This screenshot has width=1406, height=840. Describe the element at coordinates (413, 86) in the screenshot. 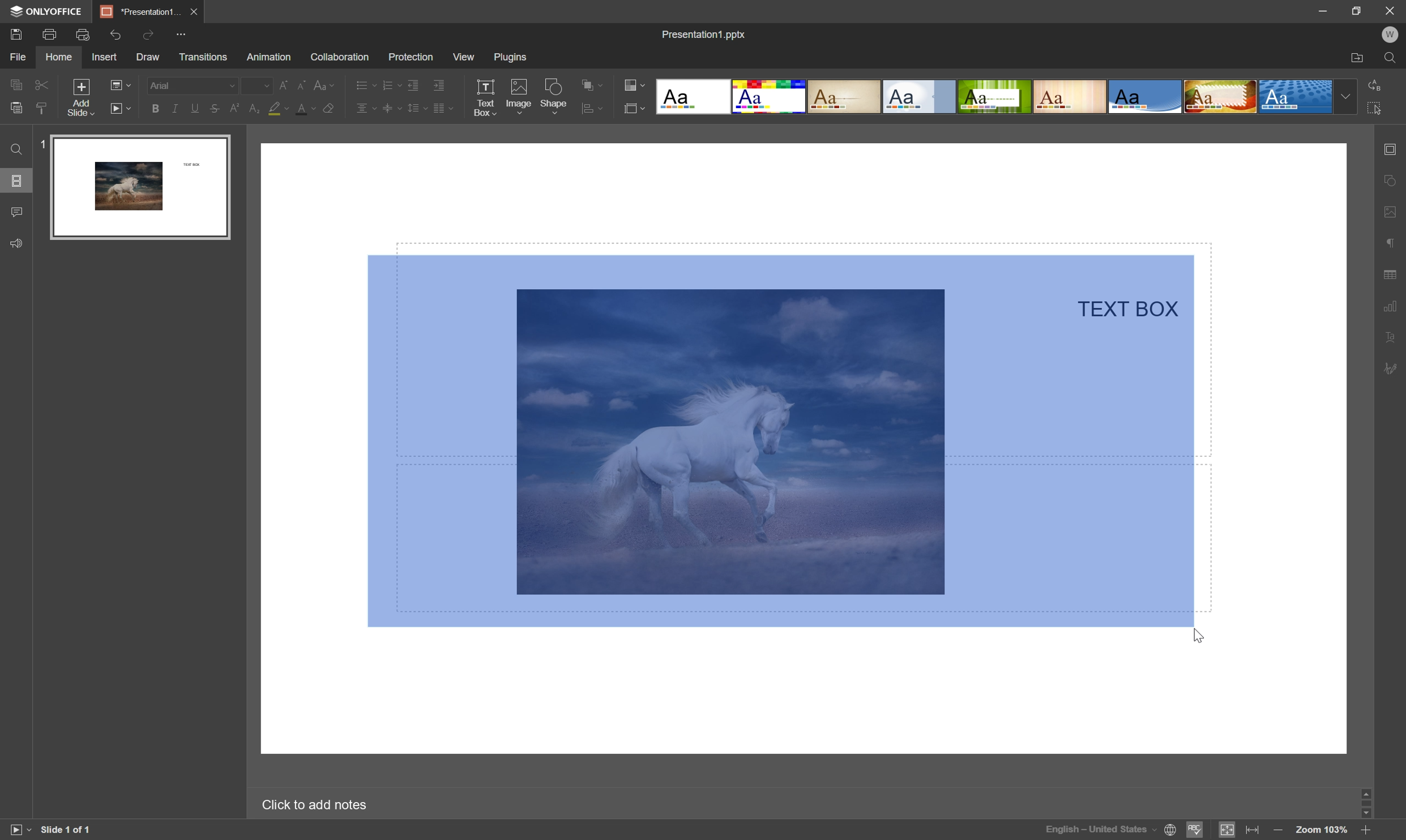

I see `decrease indent` at that location.